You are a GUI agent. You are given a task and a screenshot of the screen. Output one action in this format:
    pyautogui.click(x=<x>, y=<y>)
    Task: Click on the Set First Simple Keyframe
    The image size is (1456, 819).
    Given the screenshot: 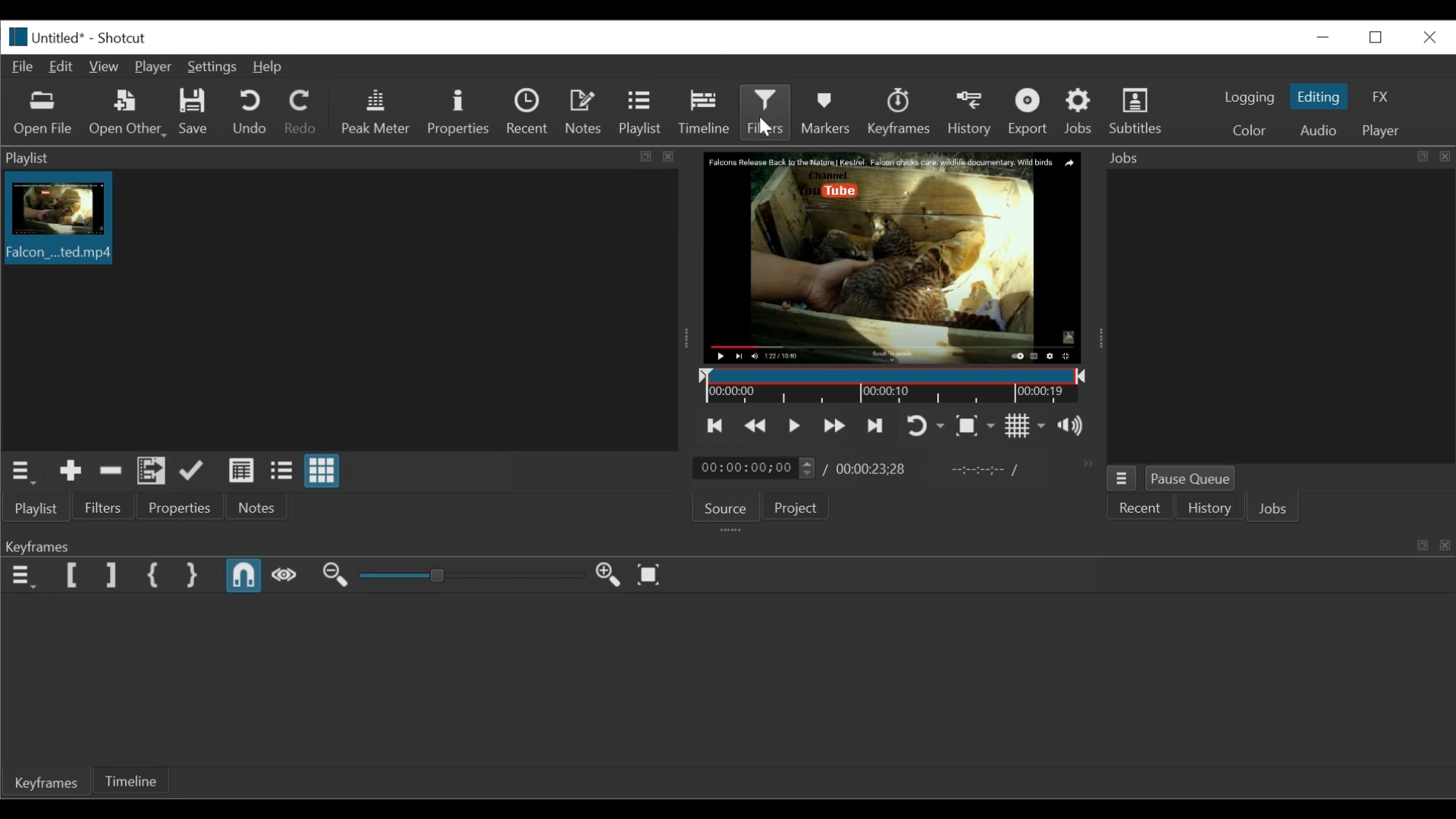 What is the action you would take?
    pyautogui.click(x=152, y=576)
    